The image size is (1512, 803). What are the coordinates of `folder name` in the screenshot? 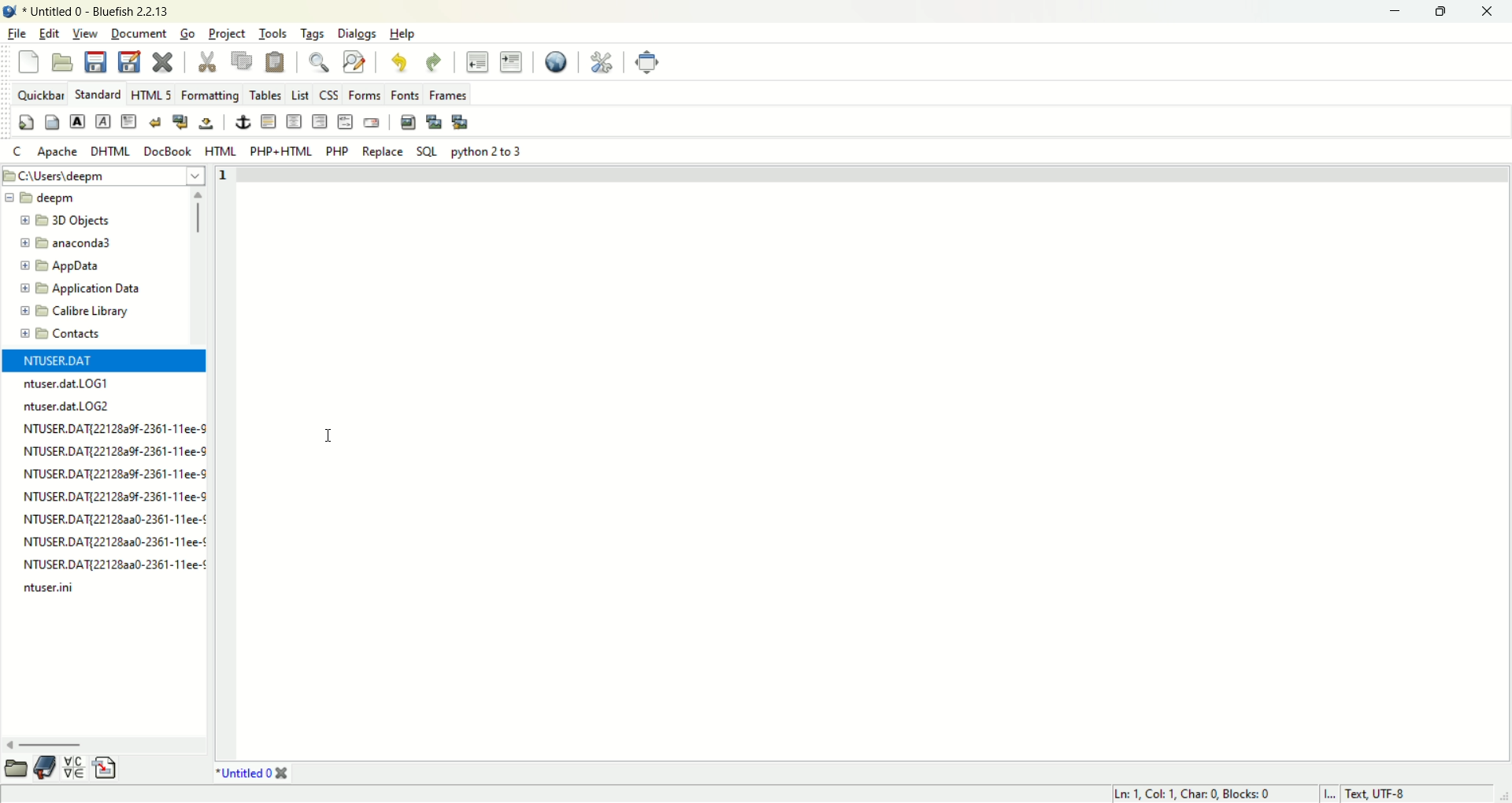 It's located at (82, 266).